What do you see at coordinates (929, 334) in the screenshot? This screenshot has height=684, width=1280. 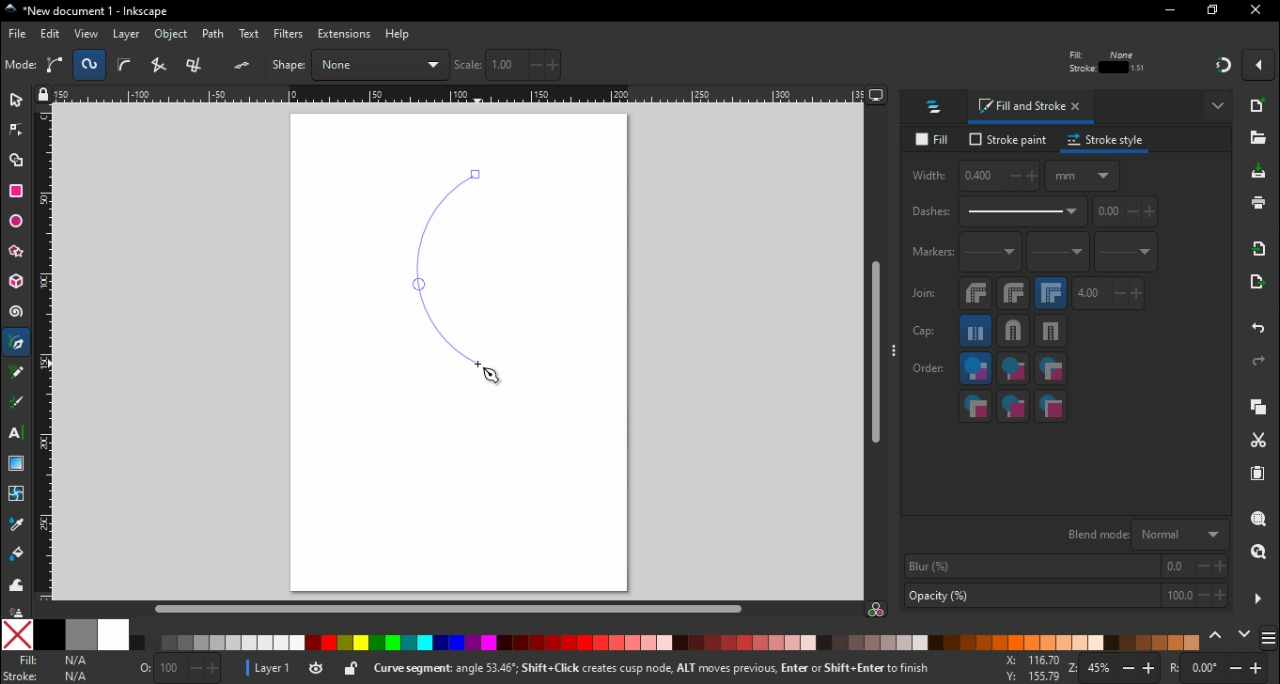 I see `cap` at bounding box center [929, 334].